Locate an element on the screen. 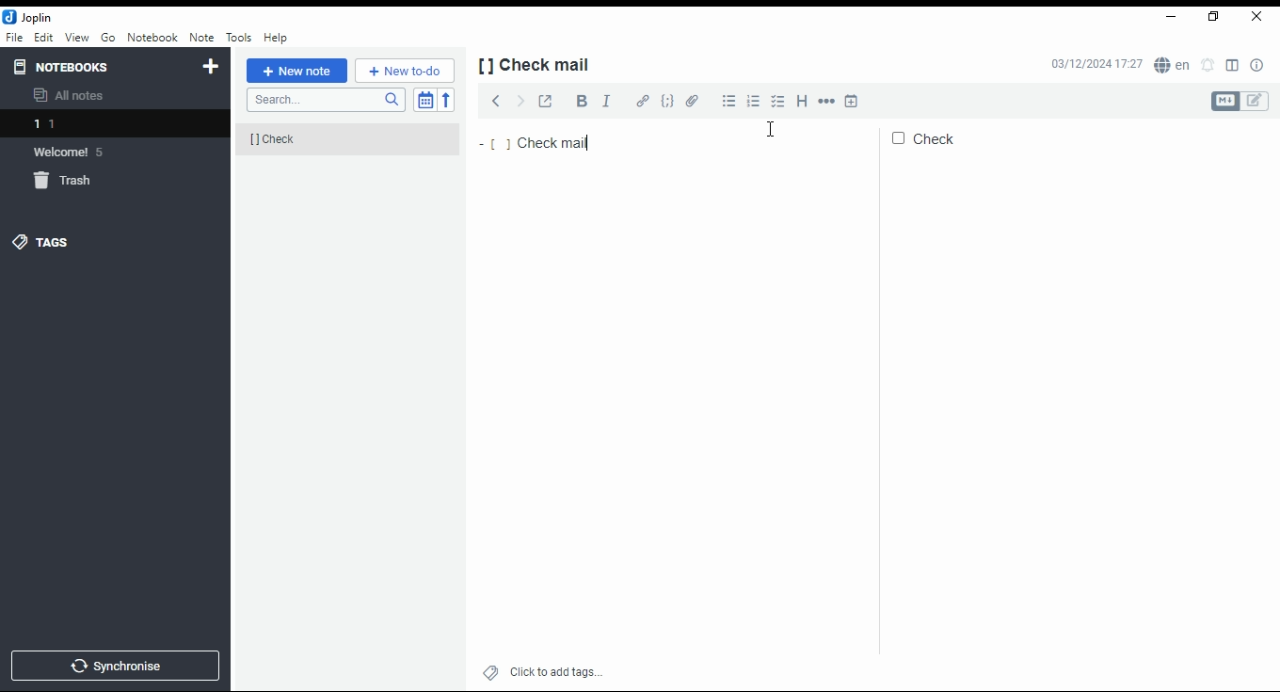 Image resolution: width=1280 pixels, height=692 pixels. icon is located at coordinates (28, 16).